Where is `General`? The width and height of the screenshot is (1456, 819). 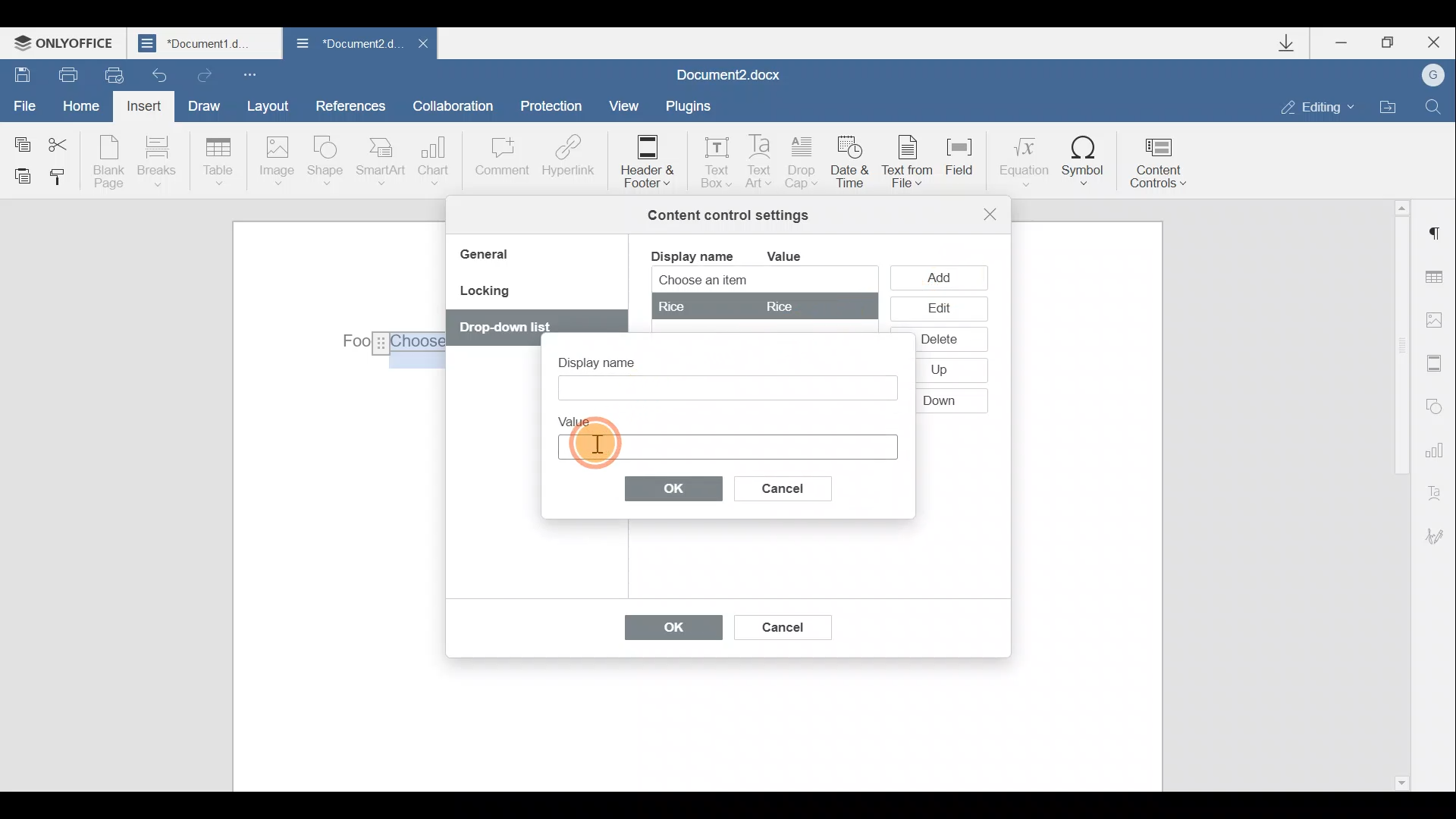
General is located at coordinates (490, 256).